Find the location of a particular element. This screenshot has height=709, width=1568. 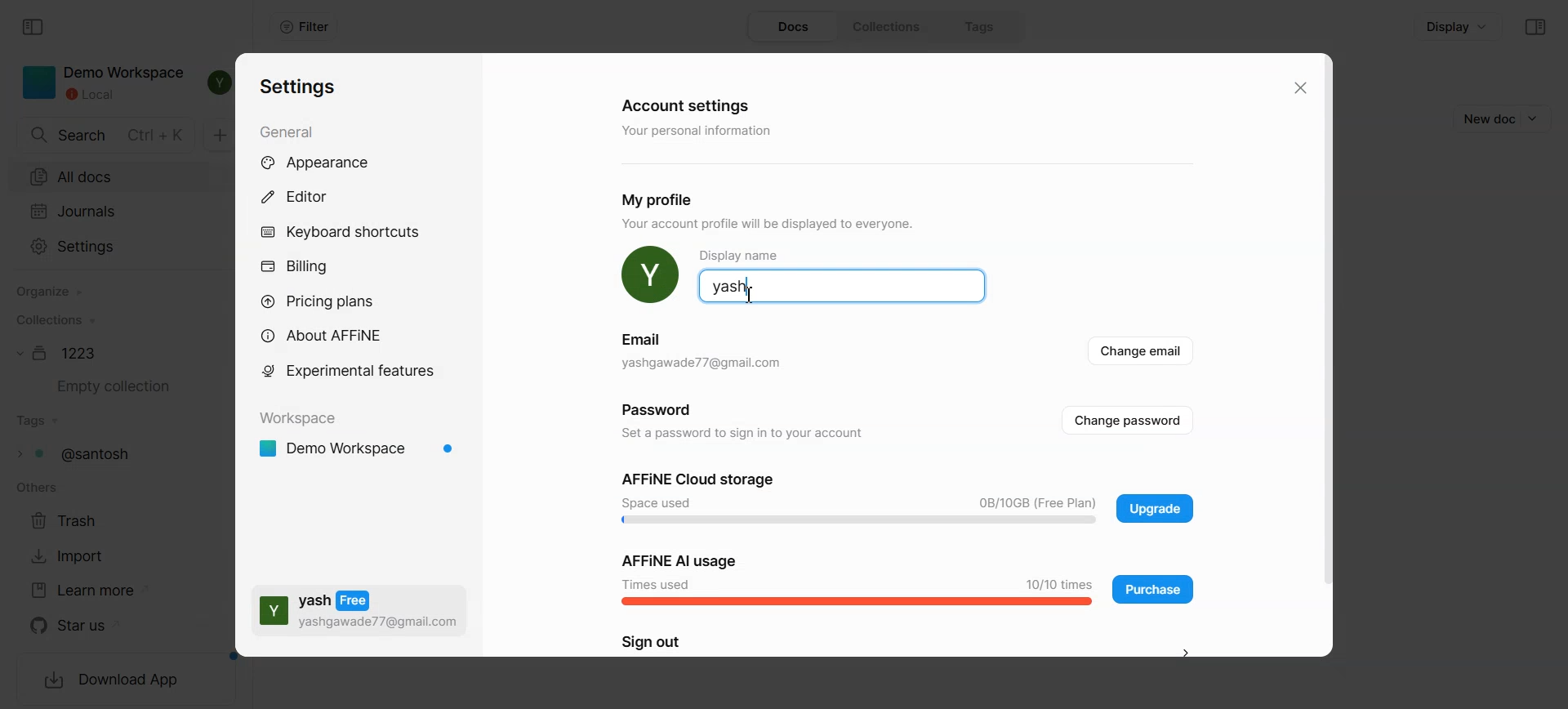

Vertical scroll bar is located at coordinates (1324, 354).